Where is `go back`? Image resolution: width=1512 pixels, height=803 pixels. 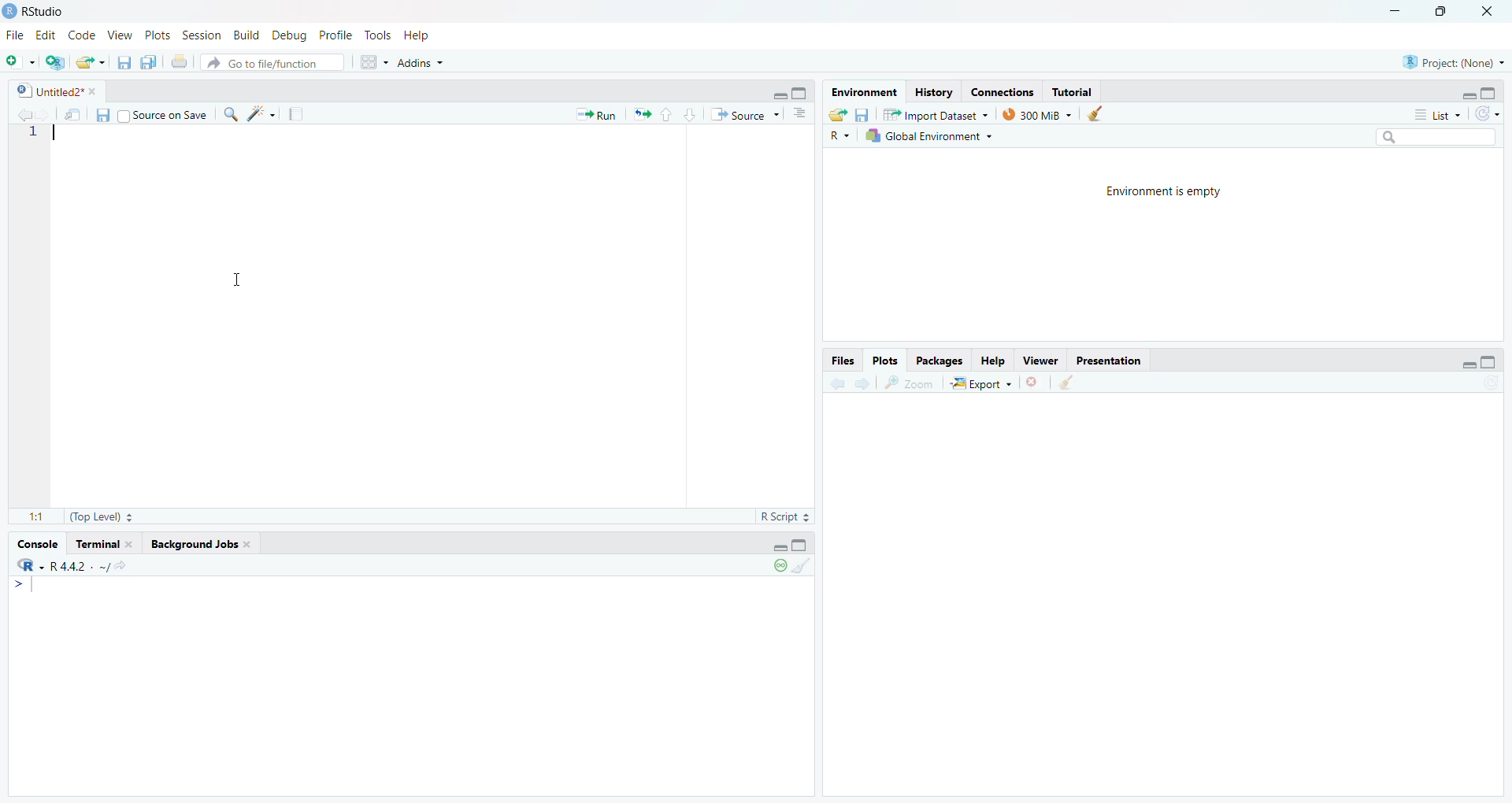
go back is located at coordinates (832, 383).